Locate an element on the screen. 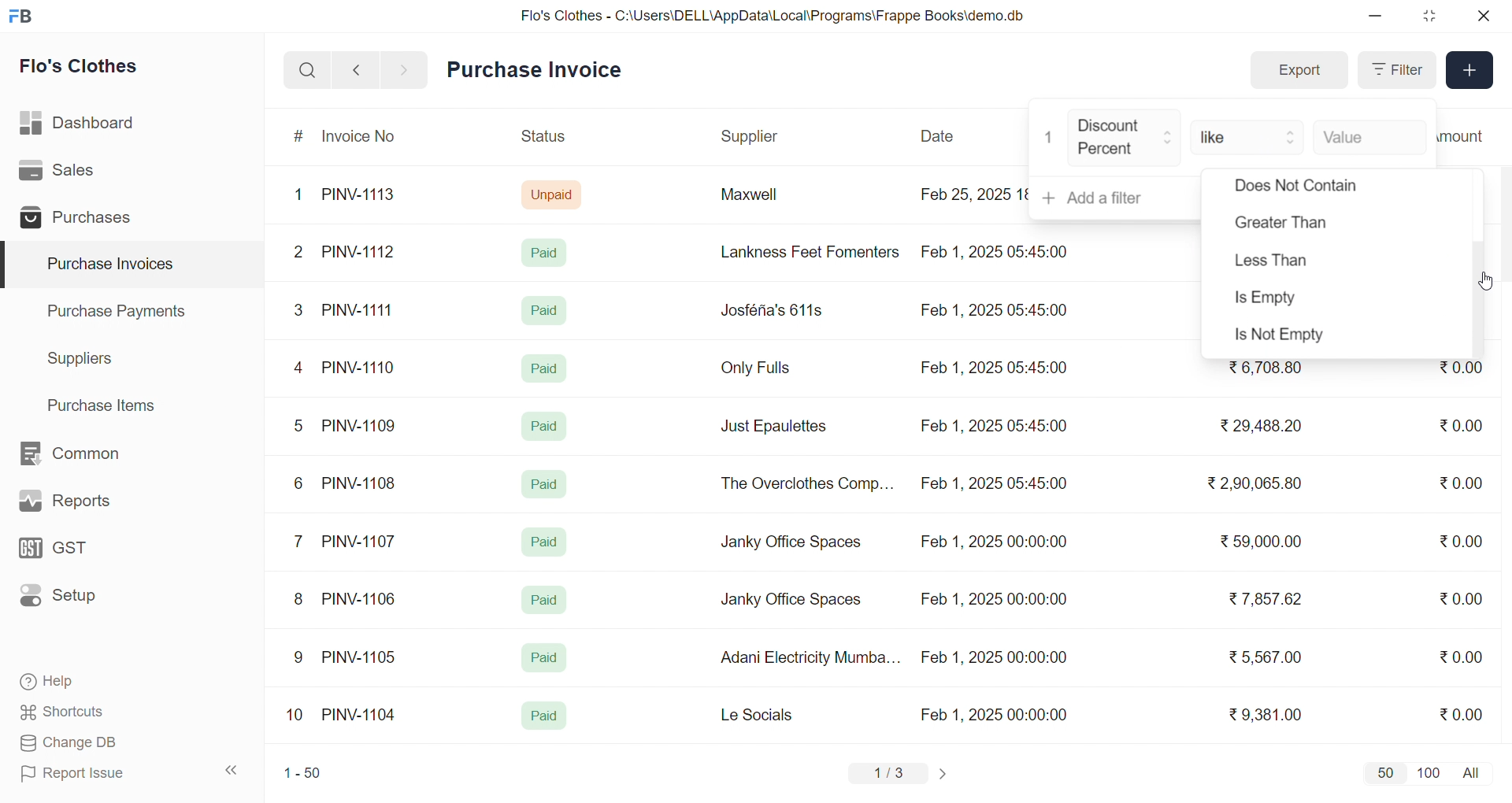 The width and height of the screenshot is (1512, 803). Export is located at coordinates (1299, 71).